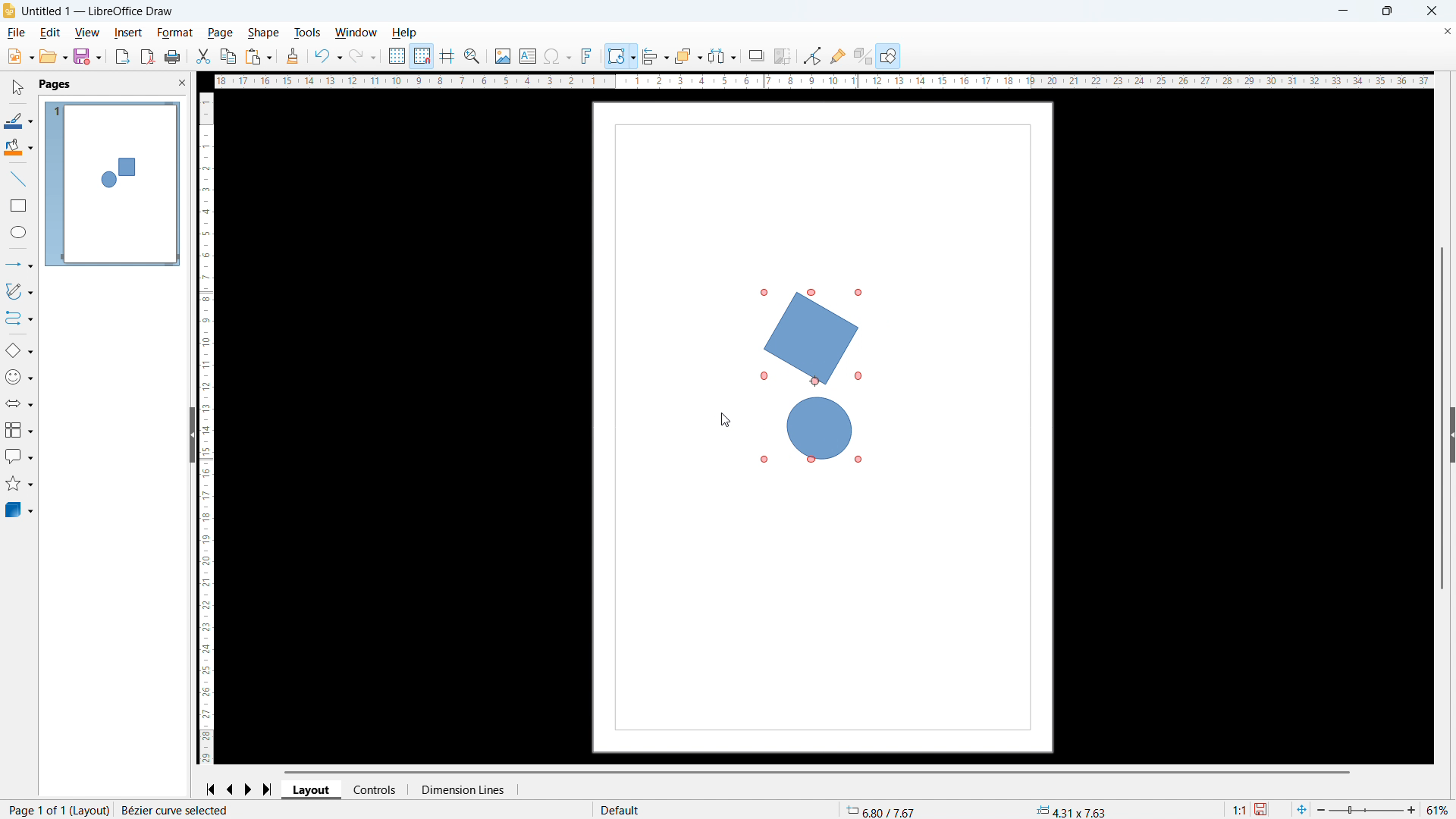 This screenshot has width=1456, height=819. I want to click on Ellipse , so click(20, 232).